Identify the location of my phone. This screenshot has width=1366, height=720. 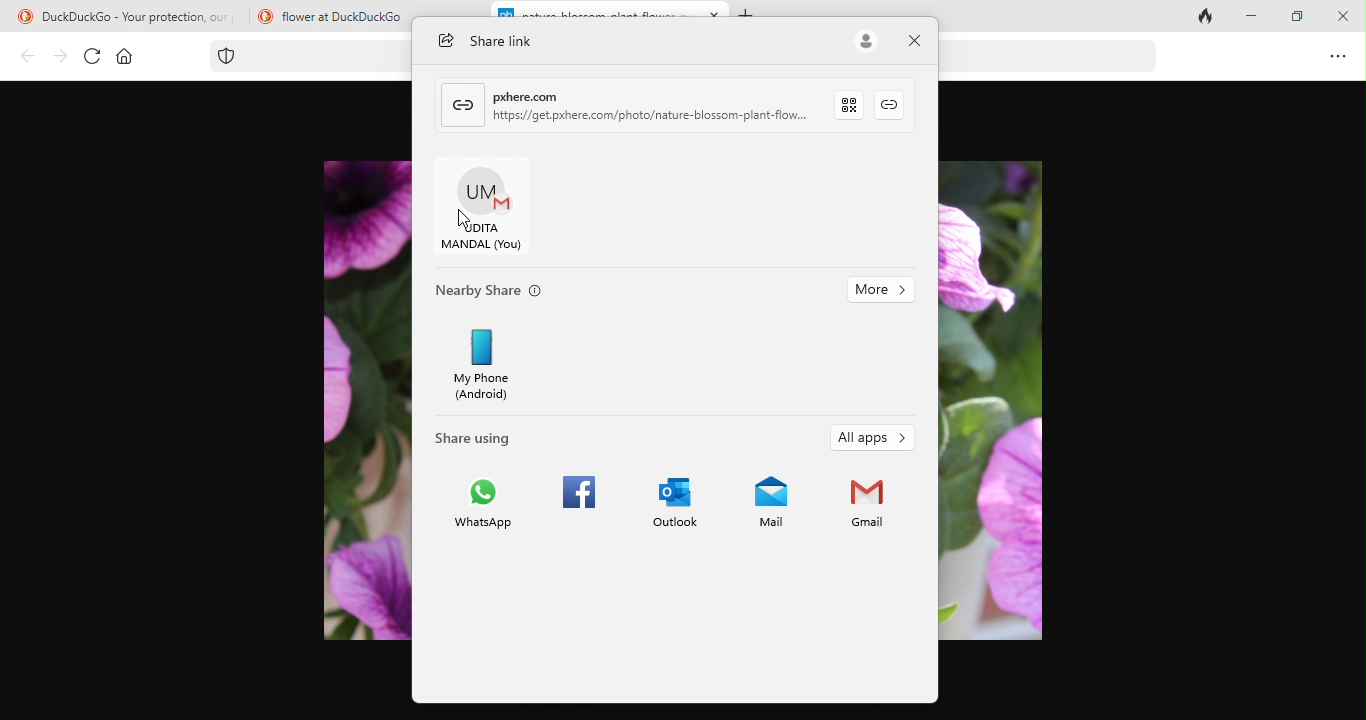
(492, 362).